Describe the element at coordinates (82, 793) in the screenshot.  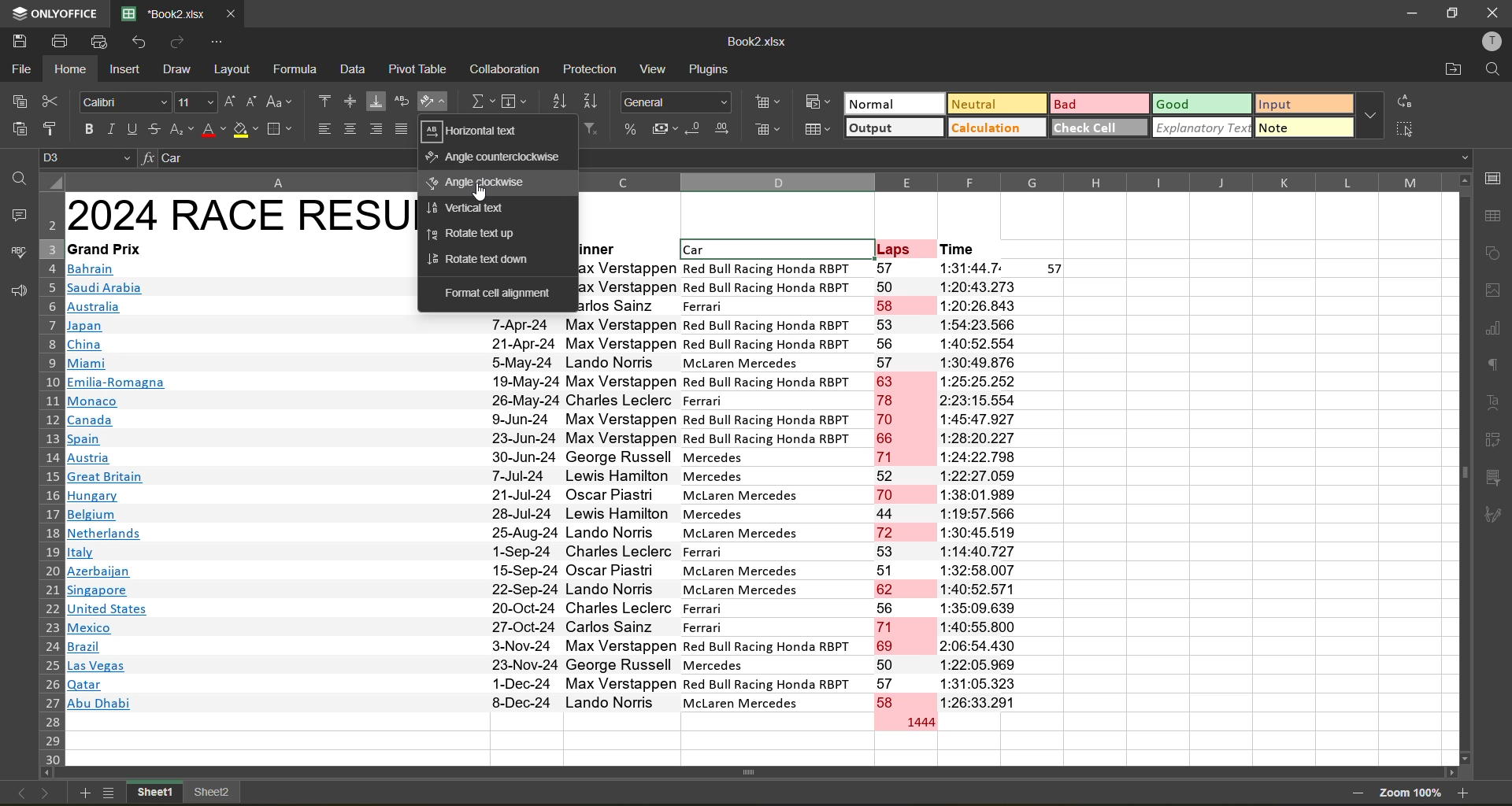
I see `add new sheet` at that location.